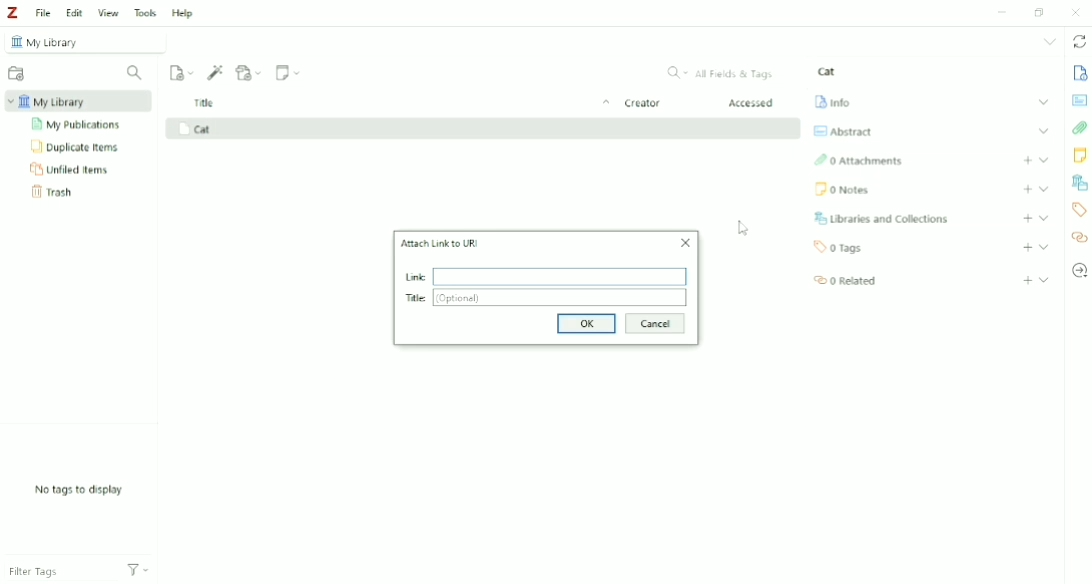  Describe the element at coordinates (1042, 11) in the screenshot. I see `Restore down` at that location.